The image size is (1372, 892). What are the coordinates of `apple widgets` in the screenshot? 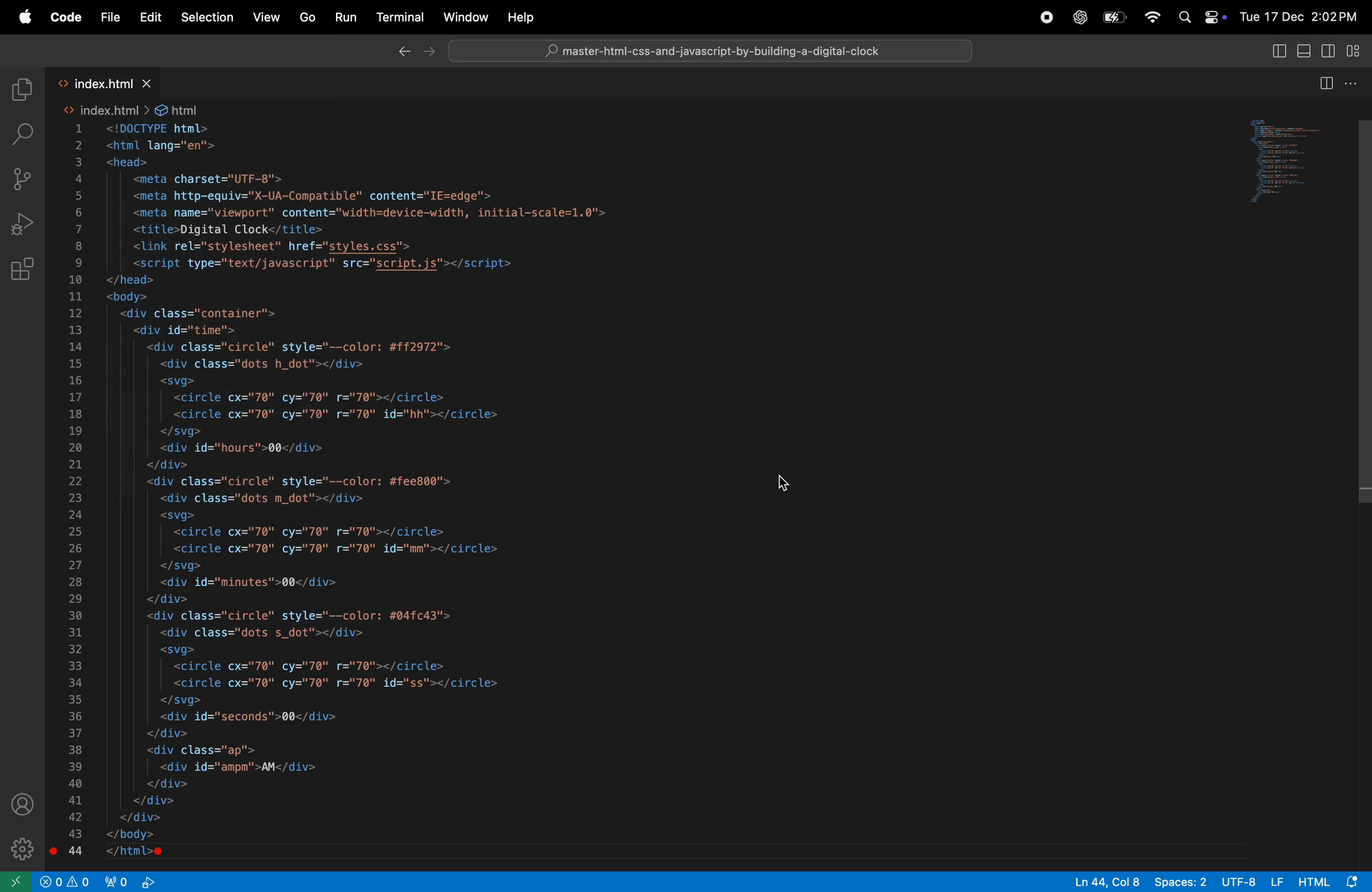 It's located at (1215, 19).